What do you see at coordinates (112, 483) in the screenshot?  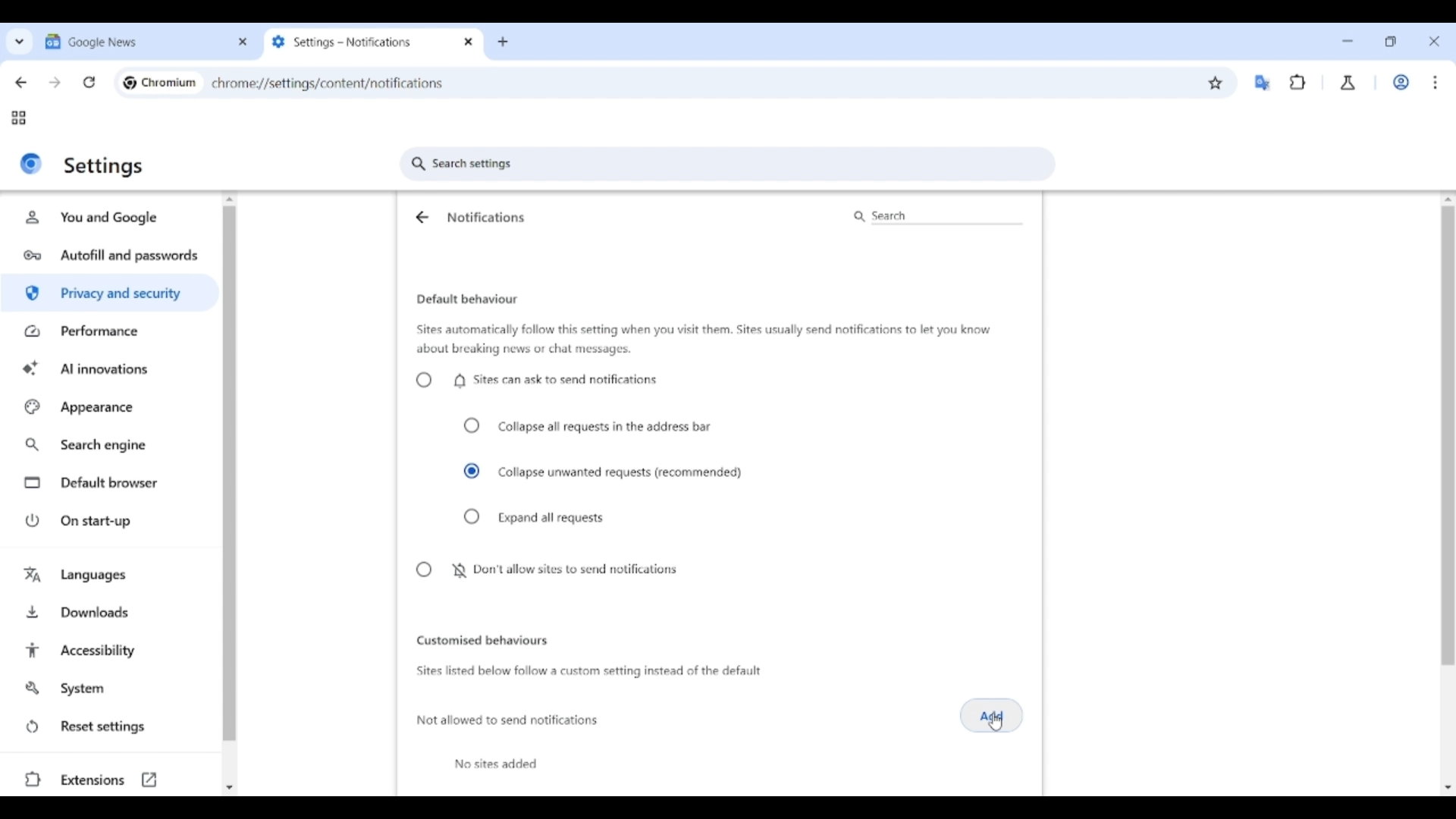 I see `Default browser` at bounding box center [112, 483].